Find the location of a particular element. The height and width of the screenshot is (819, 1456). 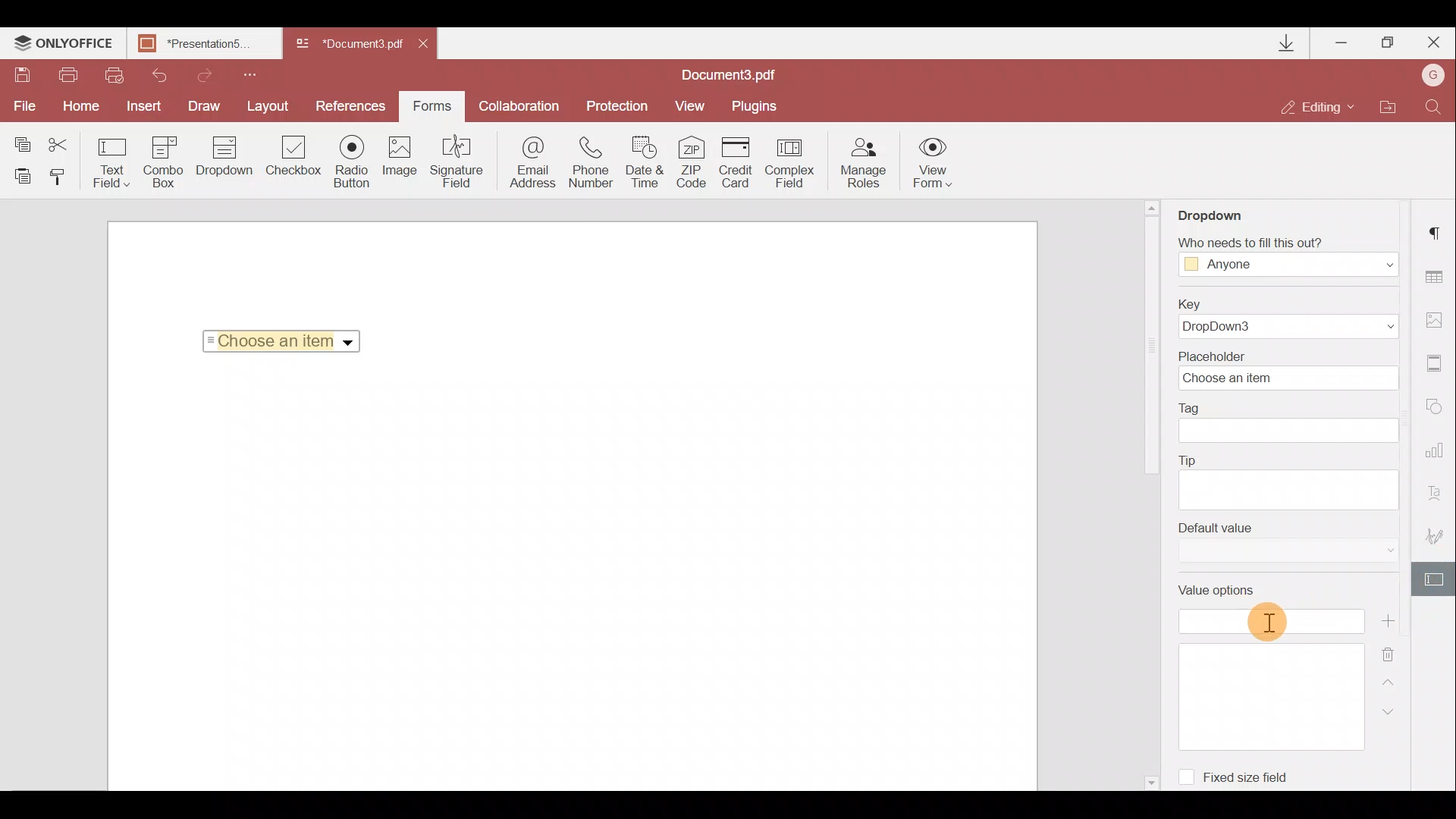

Date & time is located at coordinates (648, 162).